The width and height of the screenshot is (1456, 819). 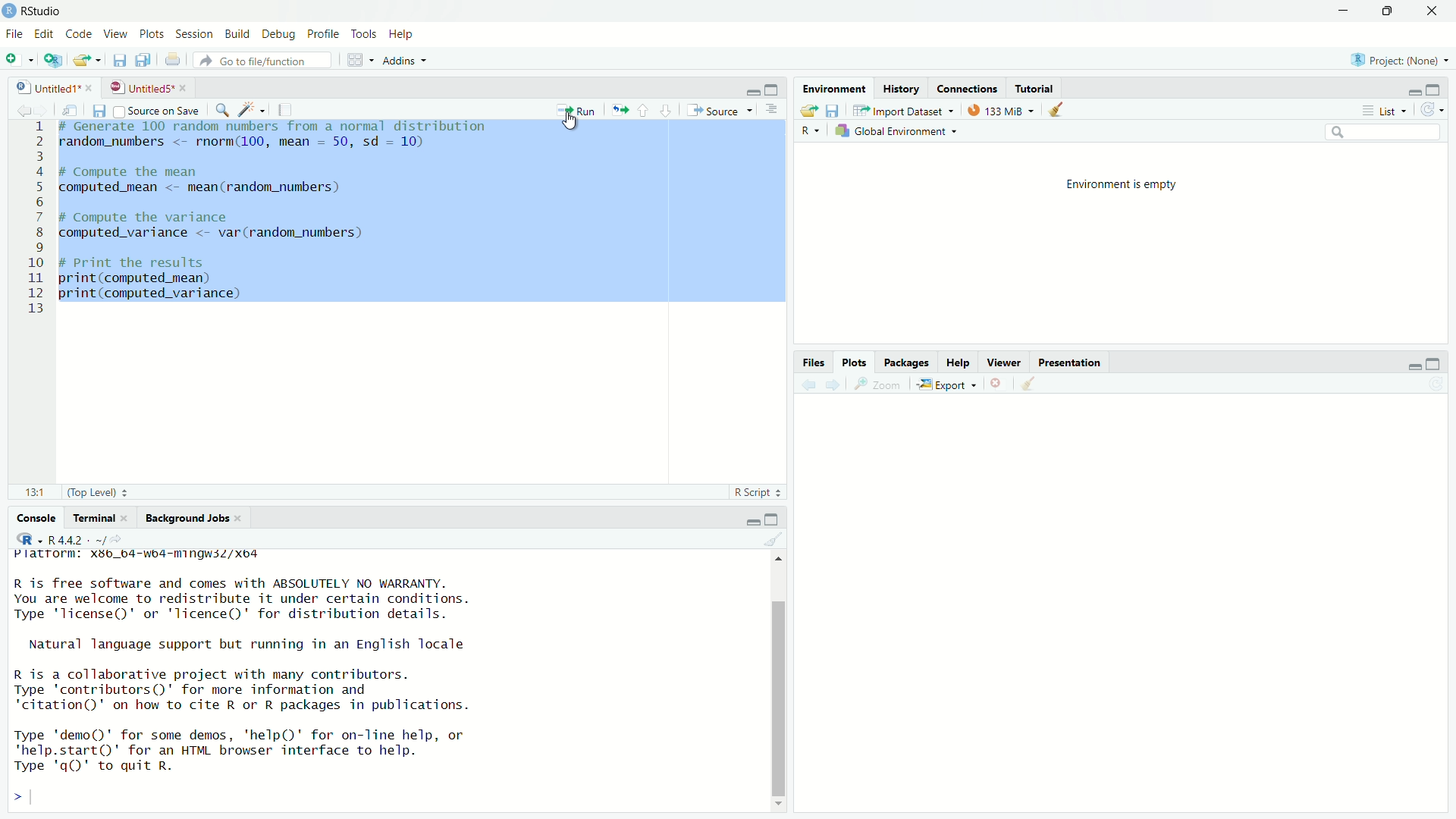 What do you see at coordinates (196, 35) in the screenshot?
I see `session` at bounding box center [196, 35].